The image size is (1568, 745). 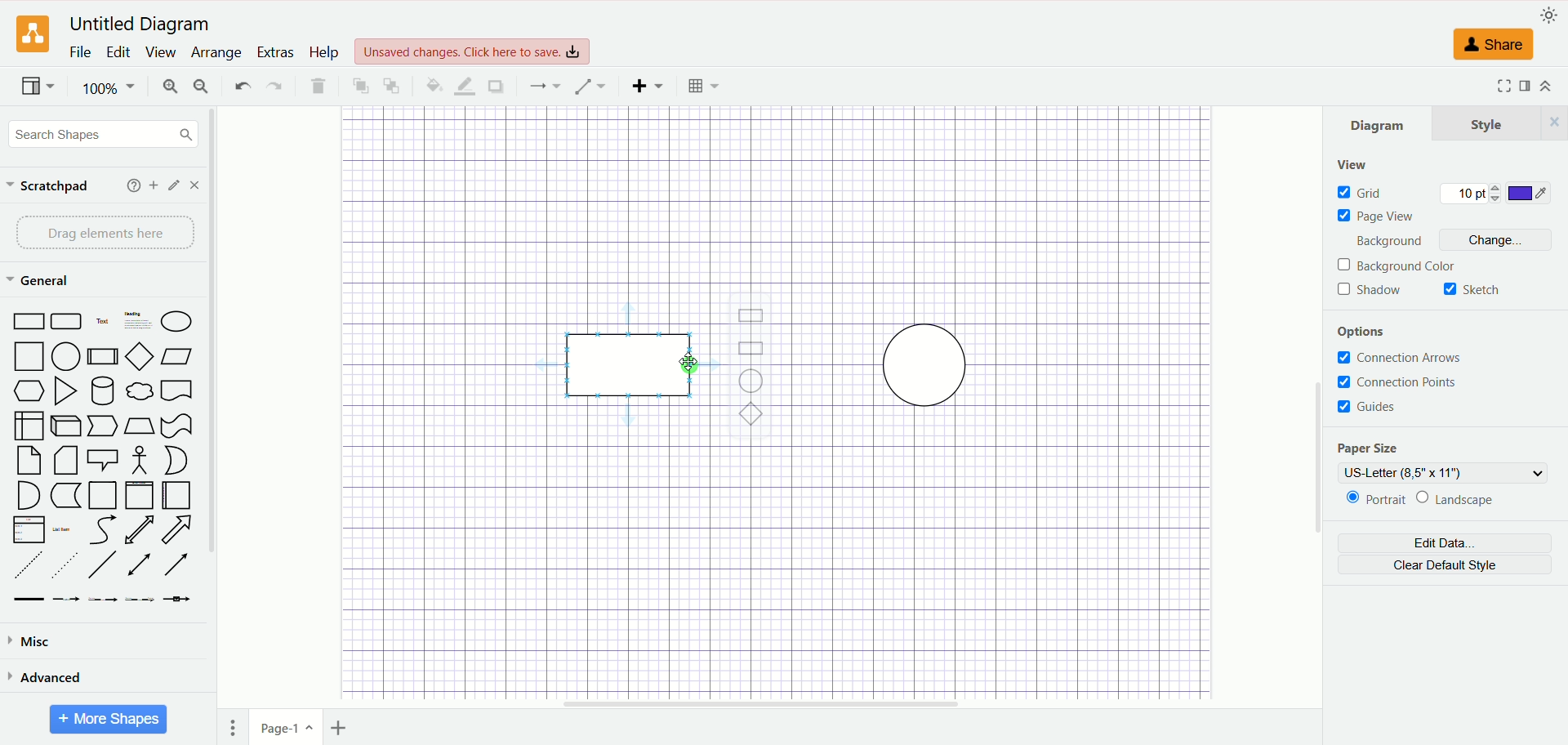 What do you see at coordinates (703, 86) in the screenshot?
I see `Table` at bounding box center [703, 86].